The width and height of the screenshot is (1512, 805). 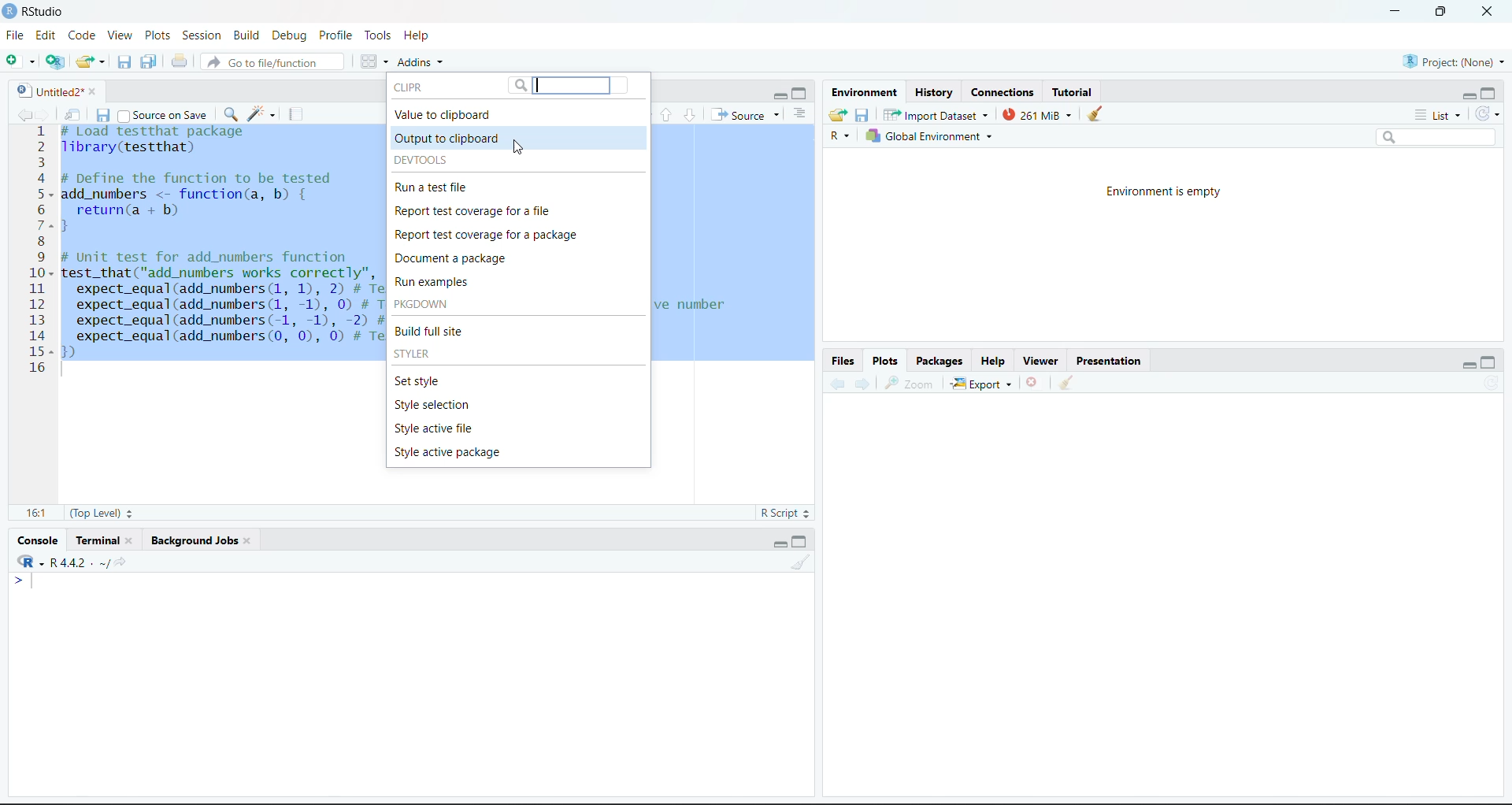 What do you see at coordinates (473, 212) in the screenshot?
I see `Report test coverage for a file` at bounding box center [473, 212].